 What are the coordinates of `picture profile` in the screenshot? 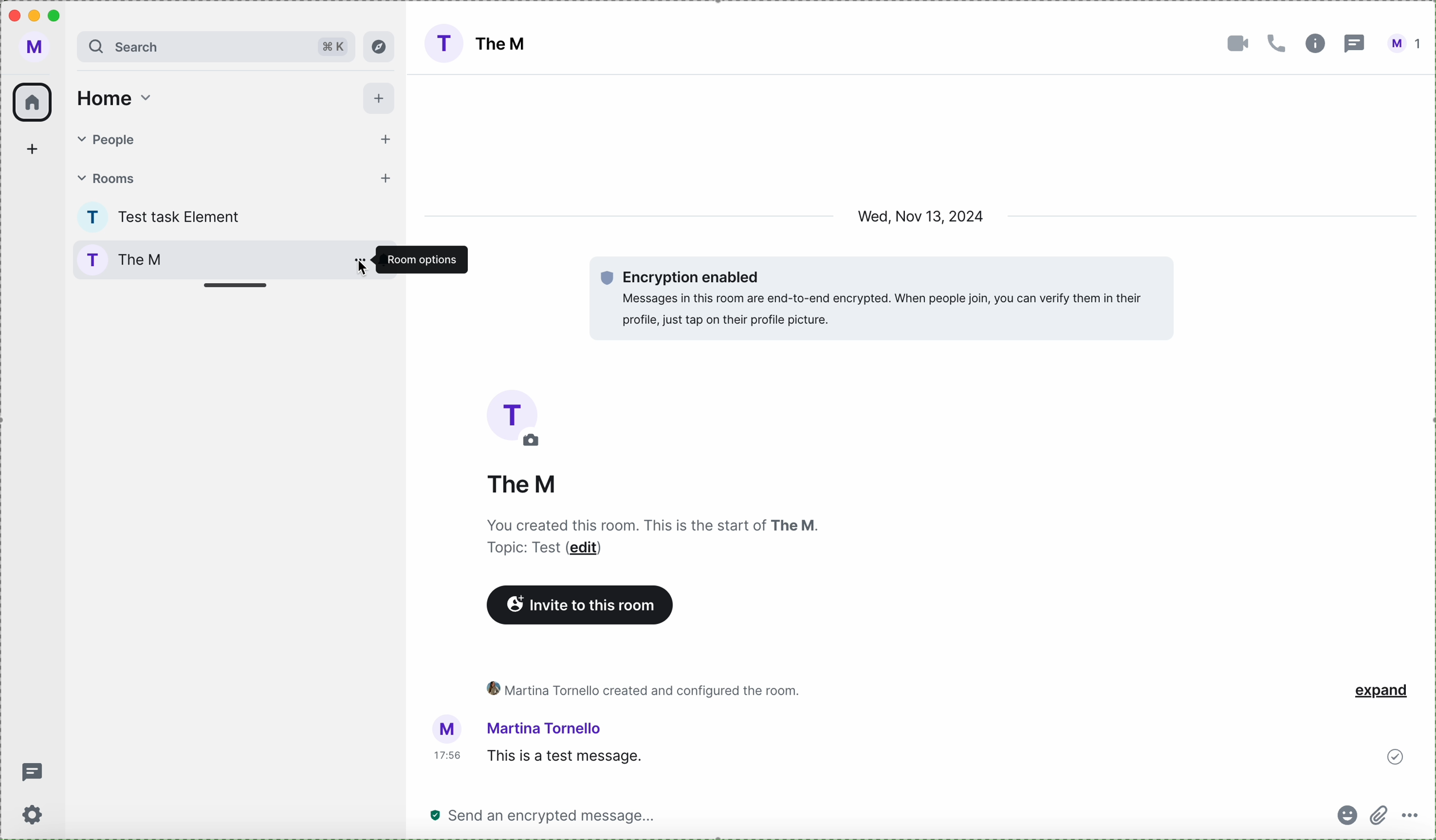 It's located at (447, 728).